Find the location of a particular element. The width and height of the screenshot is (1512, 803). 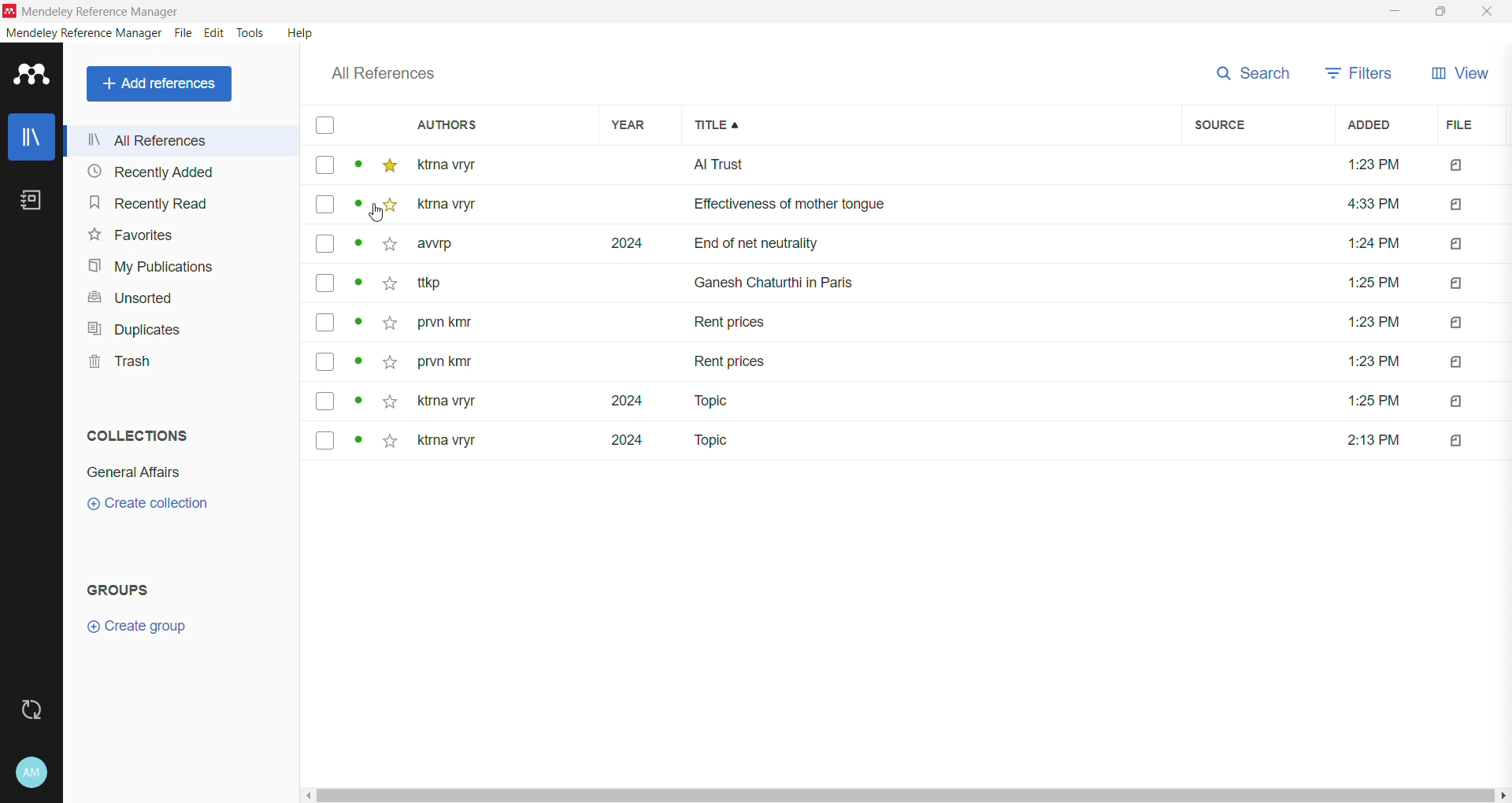

2024 is located at coordinates (617, 446).